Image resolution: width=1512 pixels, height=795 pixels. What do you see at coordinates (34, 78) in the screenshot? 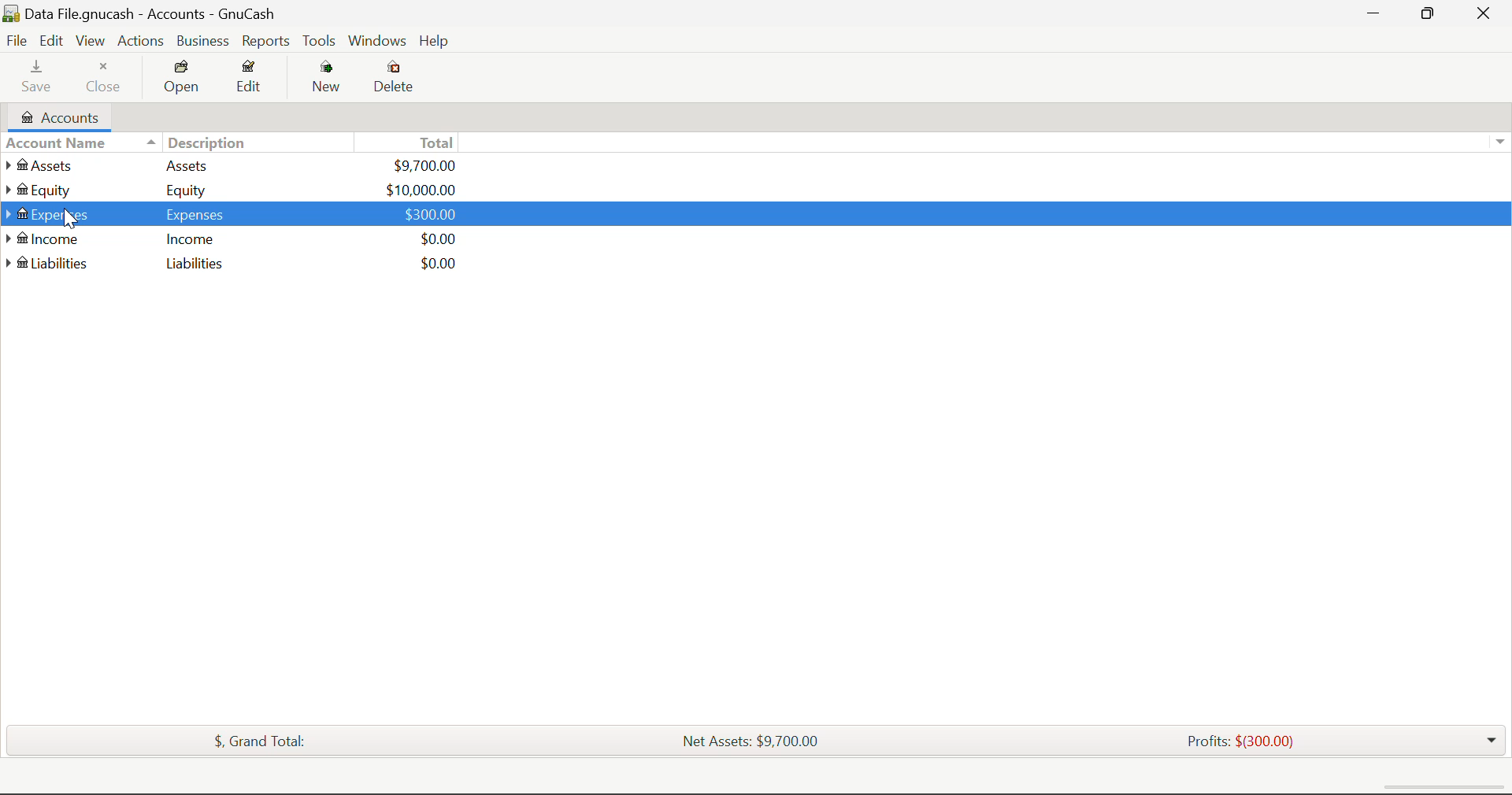
I see `Save` at bounding box center [34, 78].